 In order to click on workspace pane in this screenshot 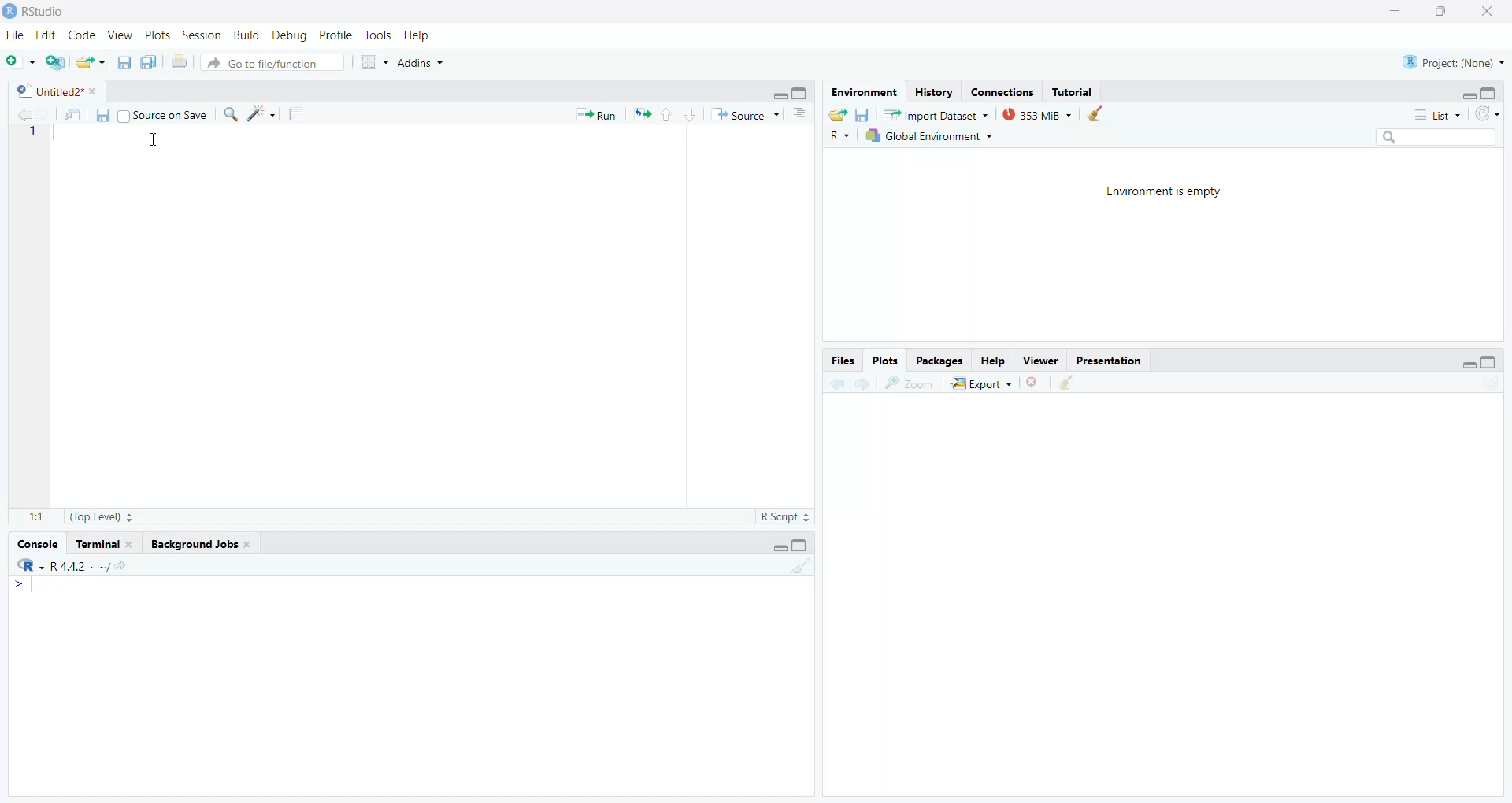, I will do `click(376, 62)`.